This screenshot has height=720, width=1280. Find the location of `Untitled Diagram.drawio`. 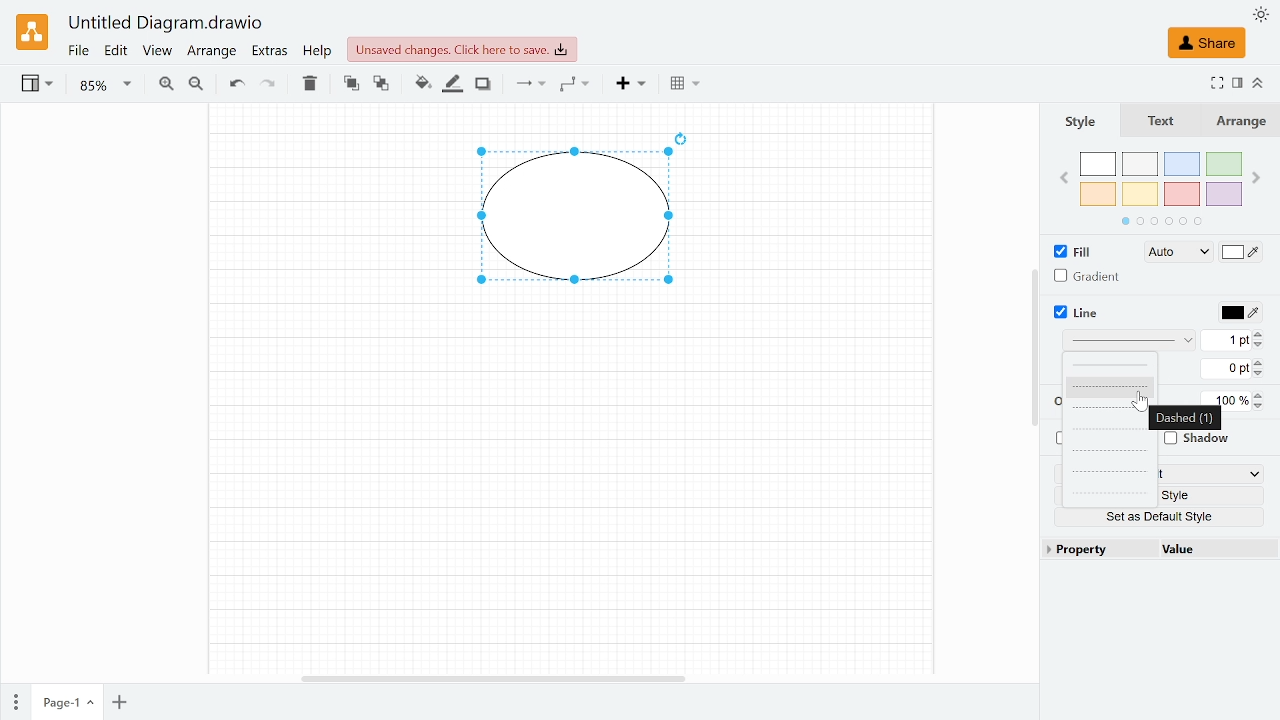

Untitled Diagram.drawio is located at coordinates (164, 23).